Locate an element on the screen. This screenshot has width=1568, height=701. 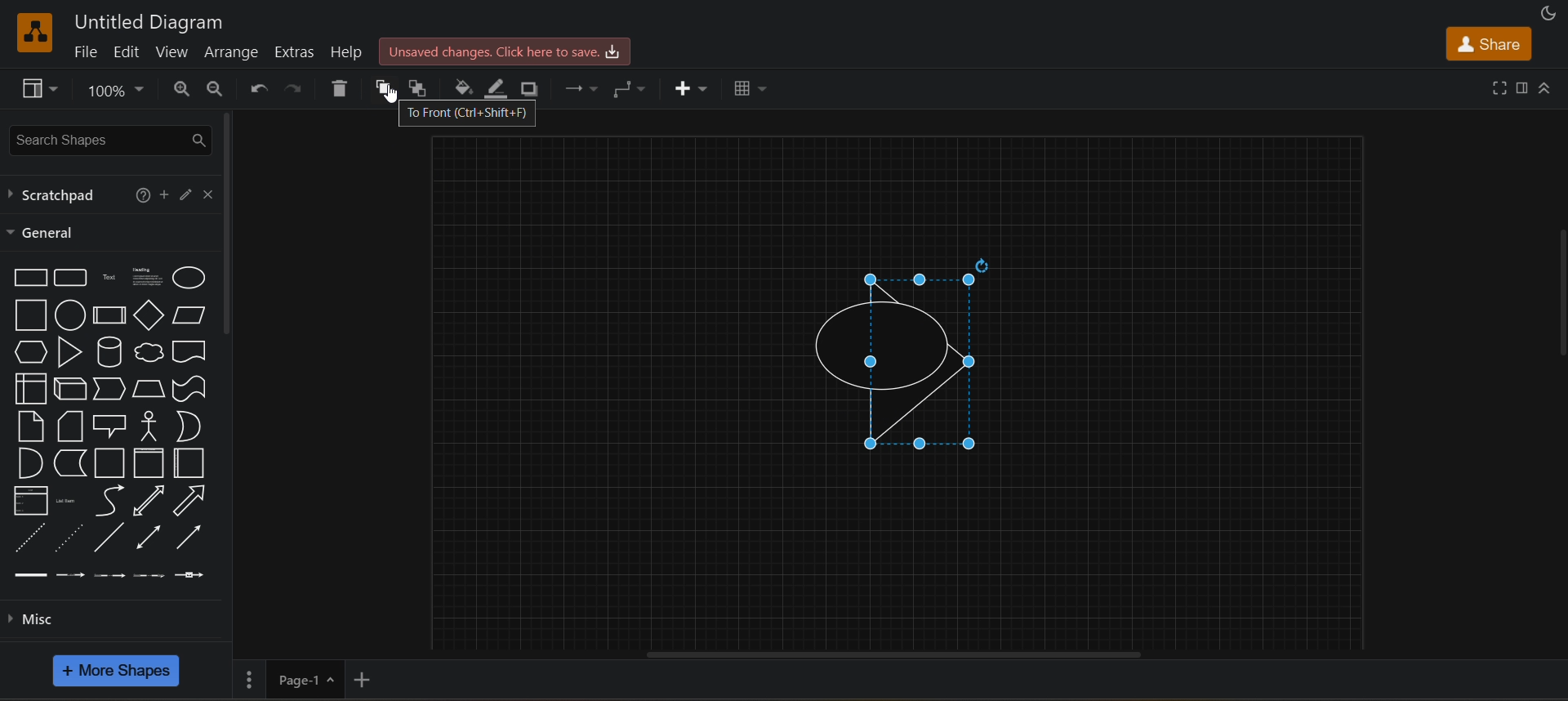
search shapes is located at coordinates (110, 137).